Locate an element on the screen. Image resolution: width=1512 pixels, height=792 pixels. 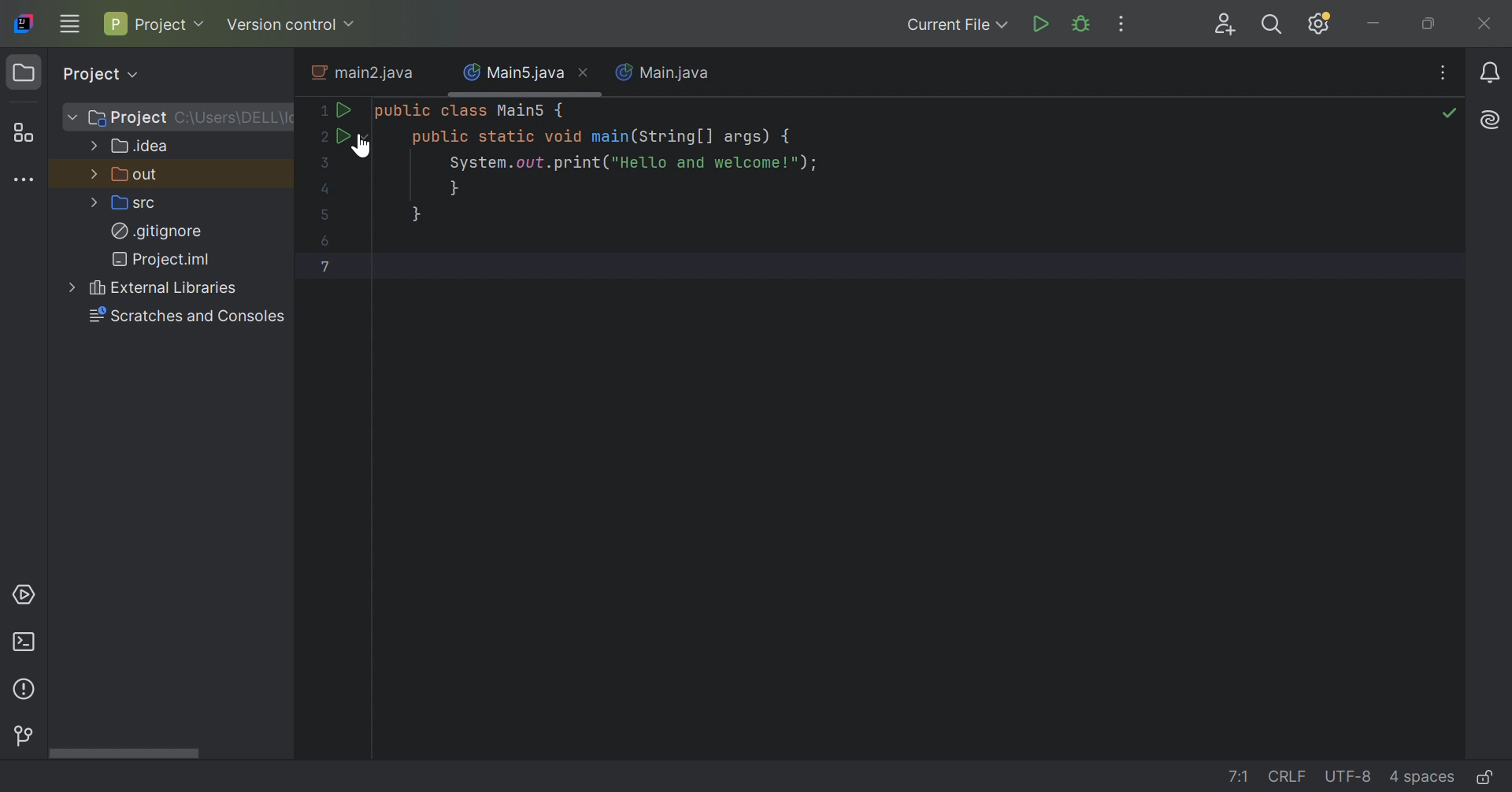
More is located at coordinates (94, 144).